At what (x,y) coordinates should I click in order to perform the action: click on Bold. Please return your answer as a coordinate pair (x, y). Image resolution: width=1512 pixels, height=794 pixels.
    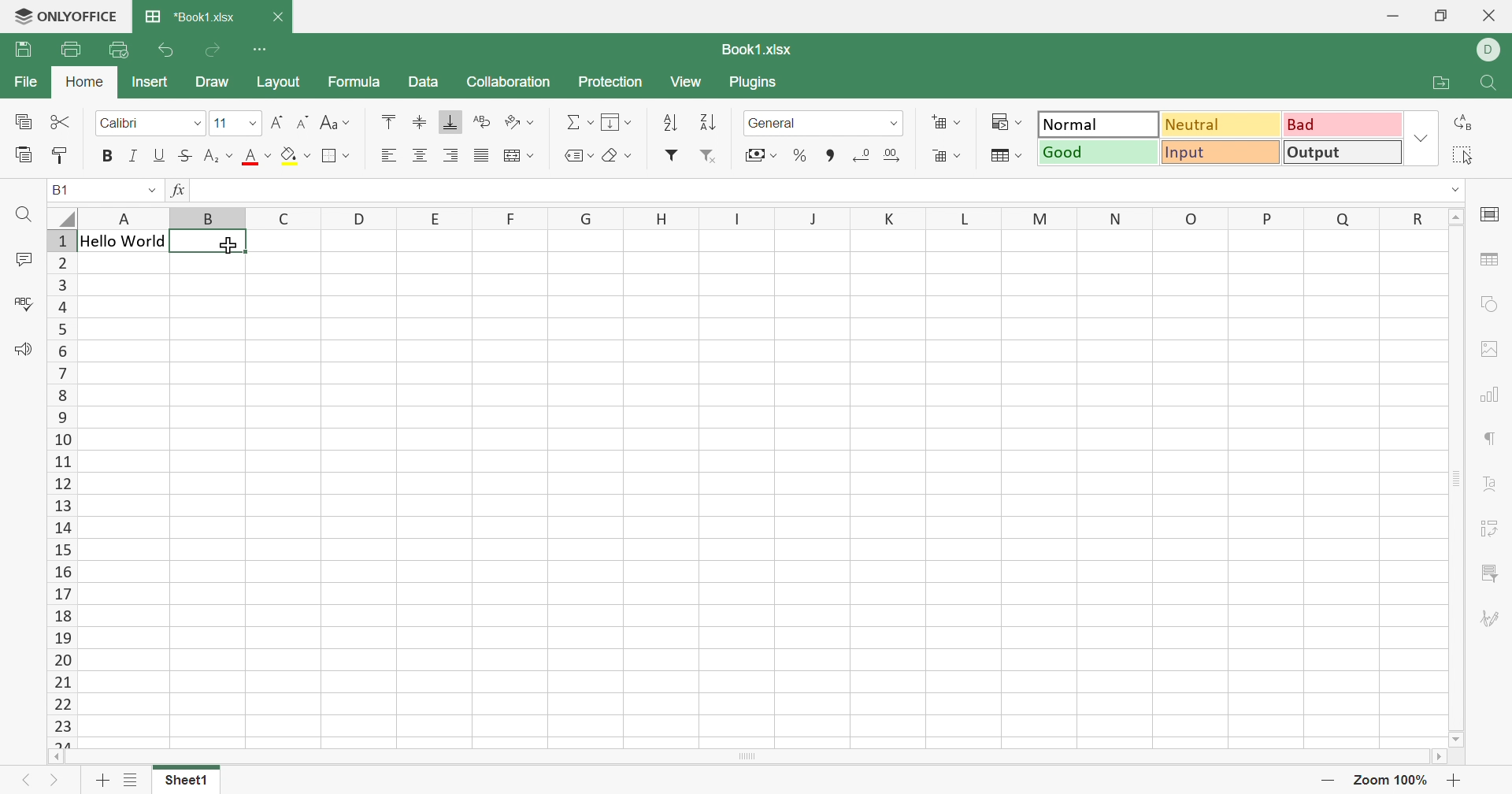
    Looking at the image, I should click on (109, 156).